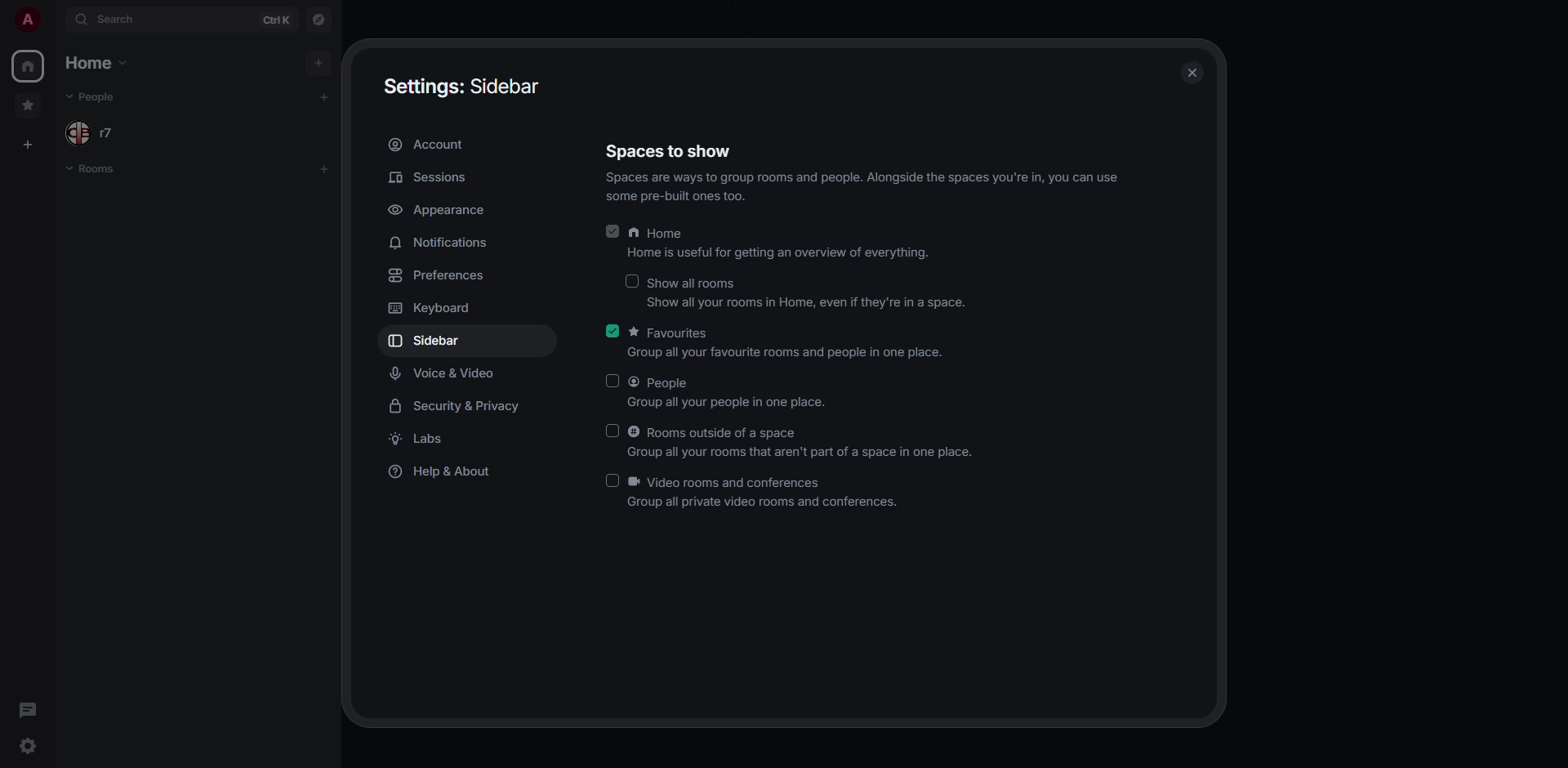 This screenshot has height=768, width=1568. What do you see at coordinates (434, 309) in the screenshot?
I see `keyboard` at bounding box center [434, 309].